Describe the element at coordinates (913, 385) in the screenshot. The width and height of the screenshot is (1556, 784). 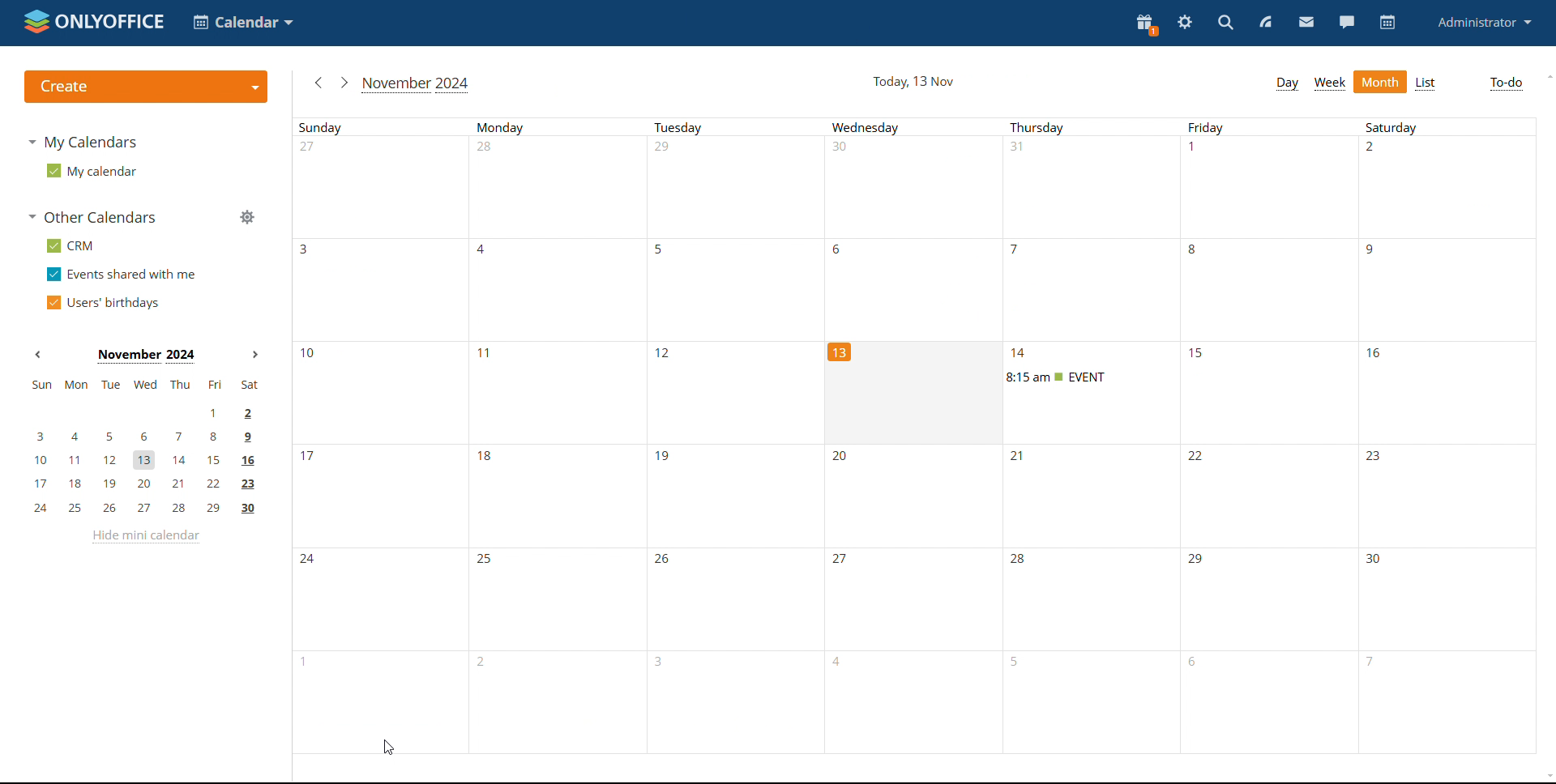
I see `current date ` at that location.